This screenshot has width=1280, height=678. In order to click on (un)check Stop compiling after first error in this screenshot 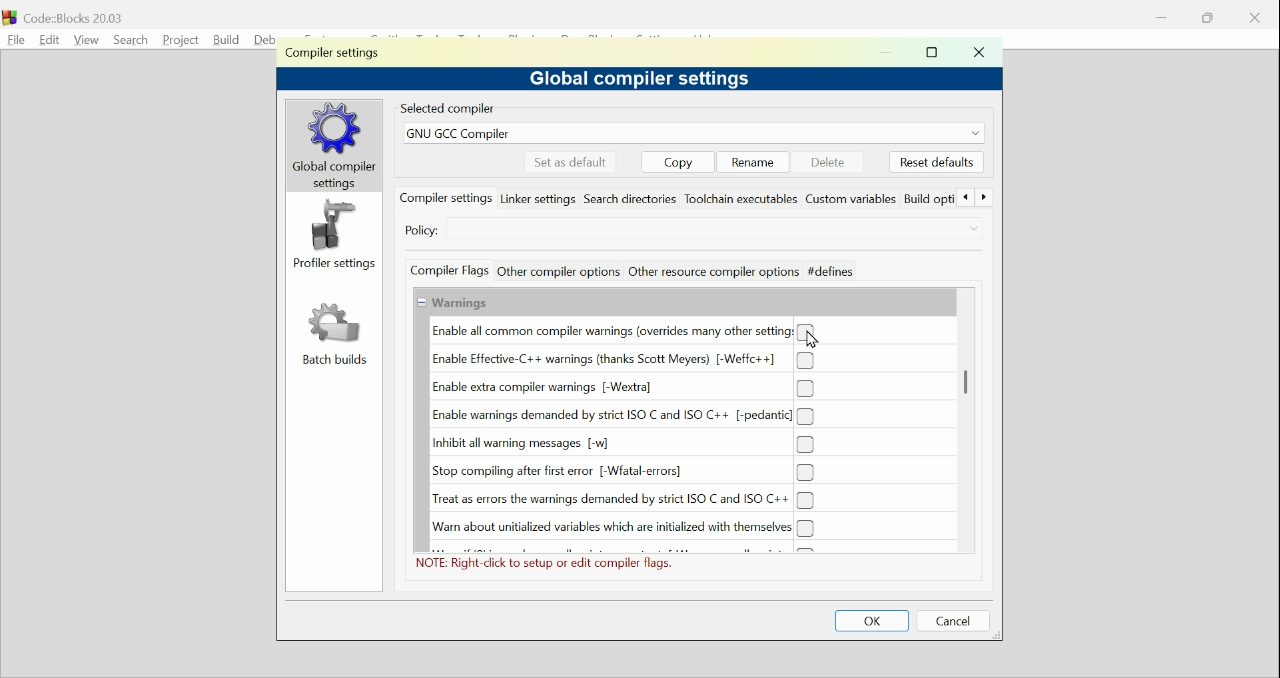, I will do `click(622, 472)`.